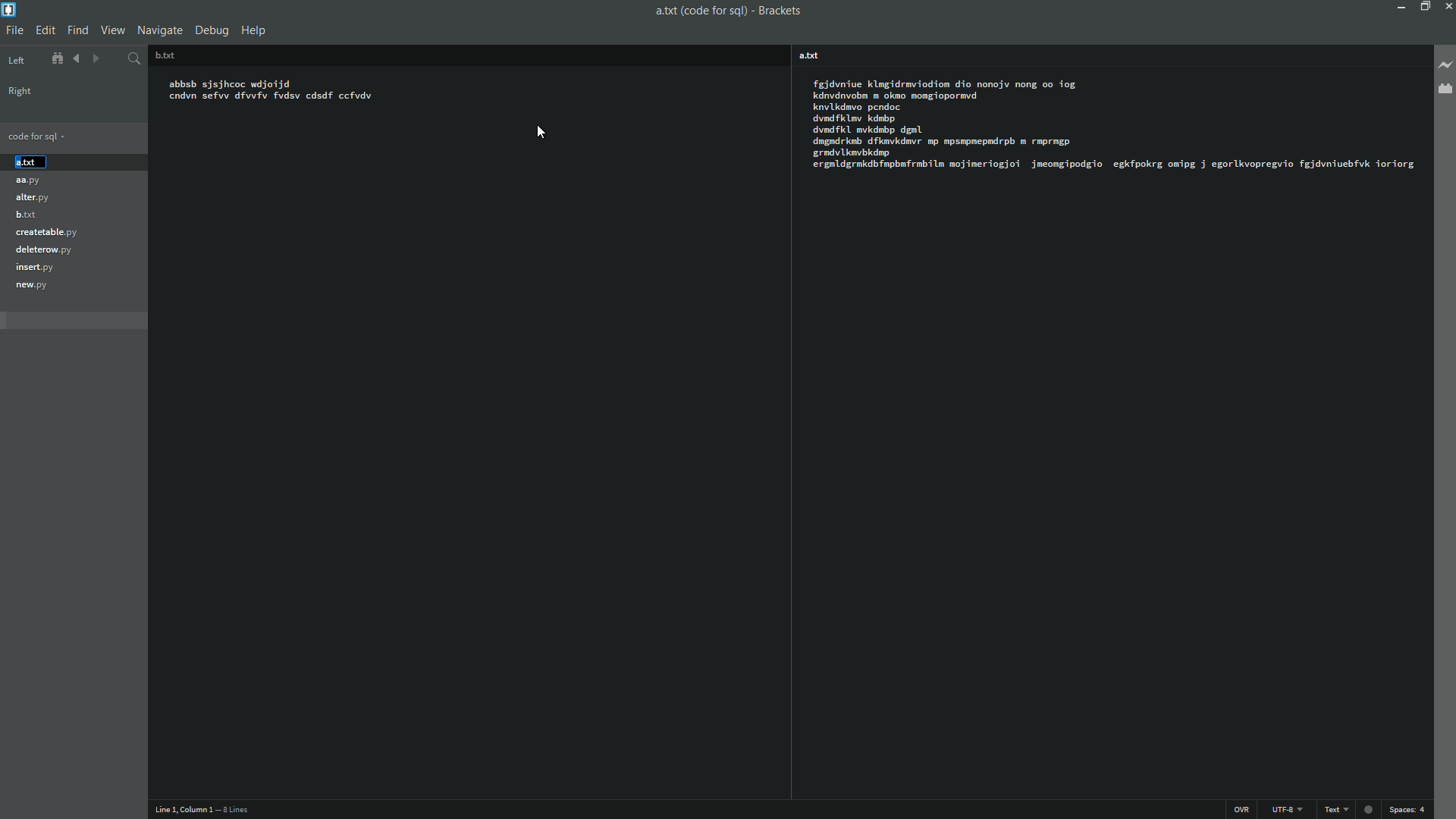  Describe the element at coordinates (852, 118) in the screenshot. I see `dvmdfklmv kdmbp` at that location.